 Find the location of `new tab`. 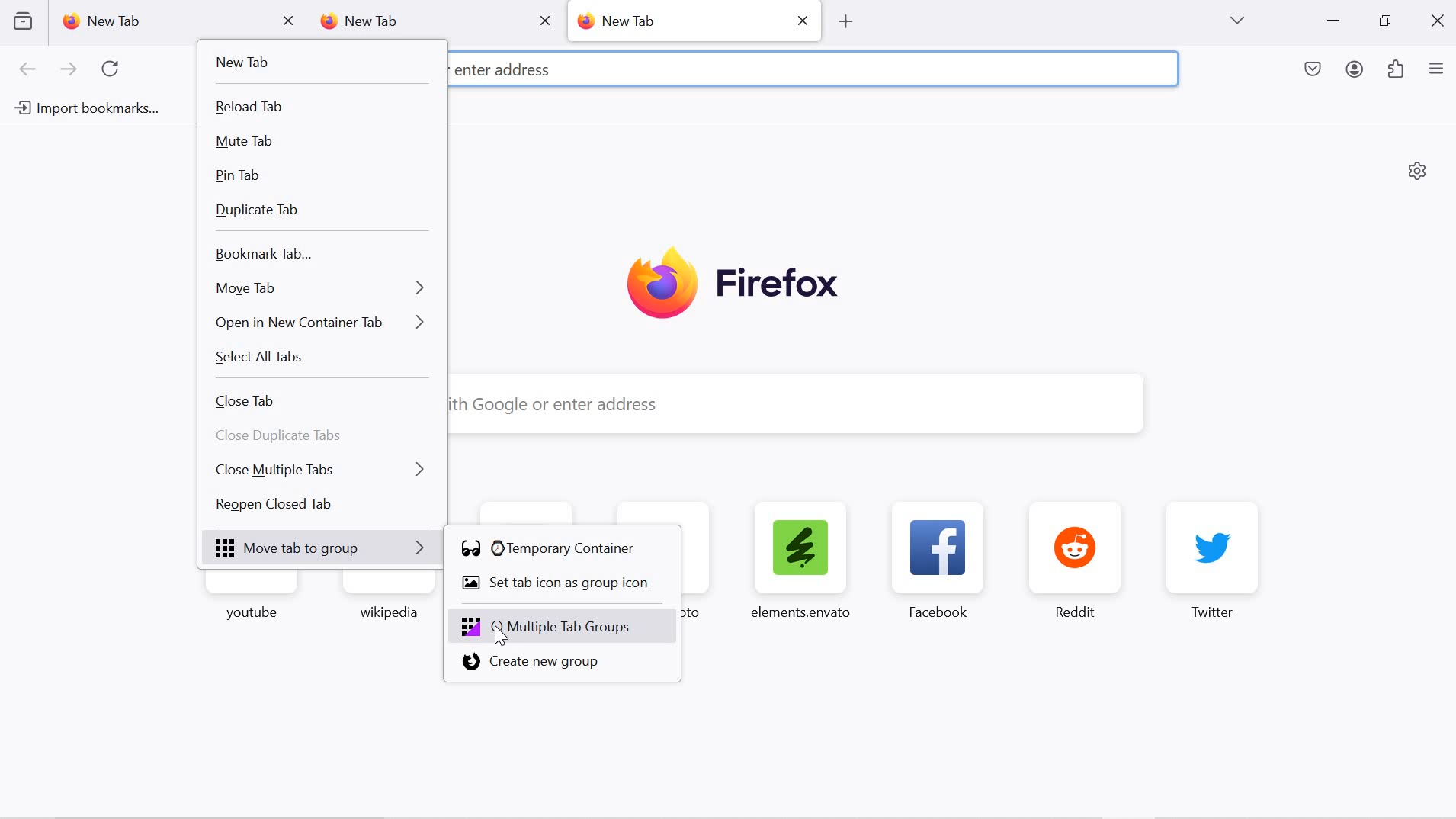

new tab is located at coordinates (413, 22).